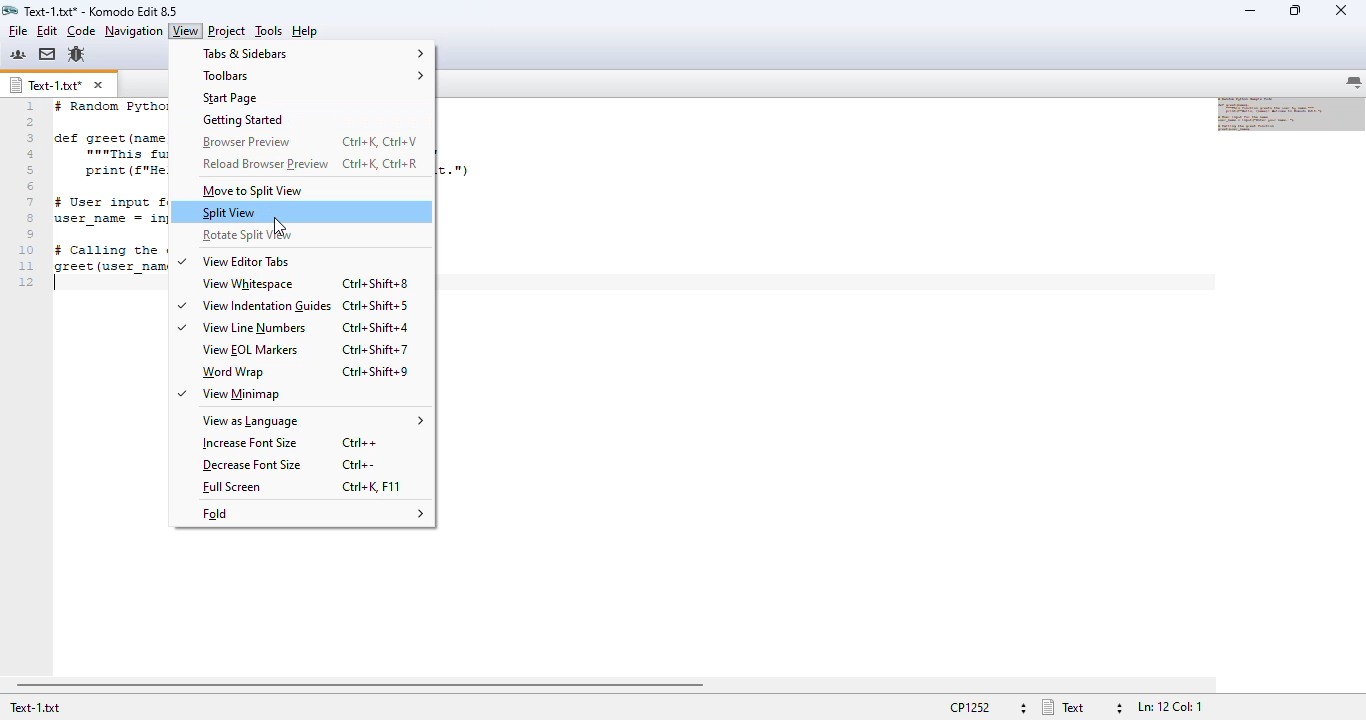 The width and height of the screenshot is (1366, 720). I want to click on view EOL markers, so click(249, 350).